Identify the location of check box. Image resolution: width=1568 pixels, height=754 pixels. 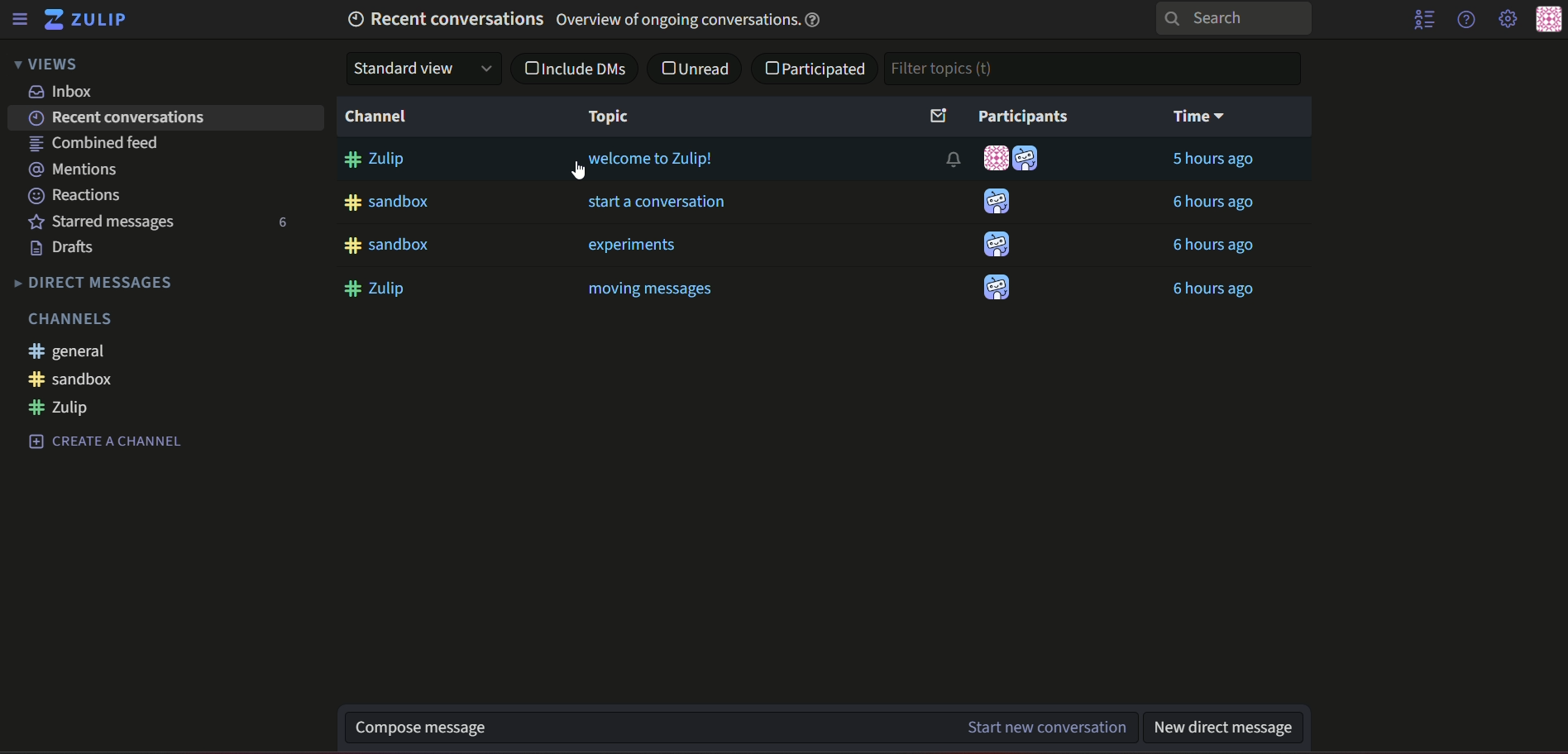
(579, 67).